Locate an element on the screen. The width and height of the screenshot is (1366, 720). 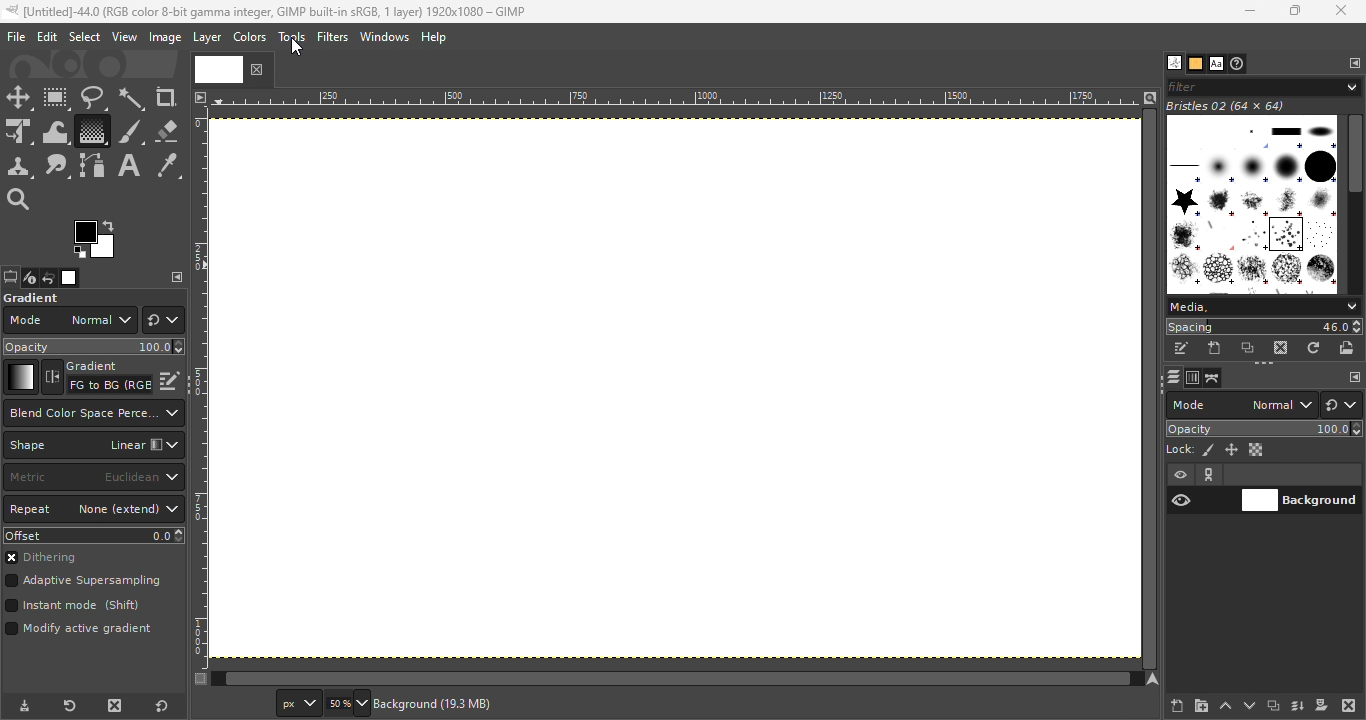
Delete this brush is located at coordinates (1282, 347).